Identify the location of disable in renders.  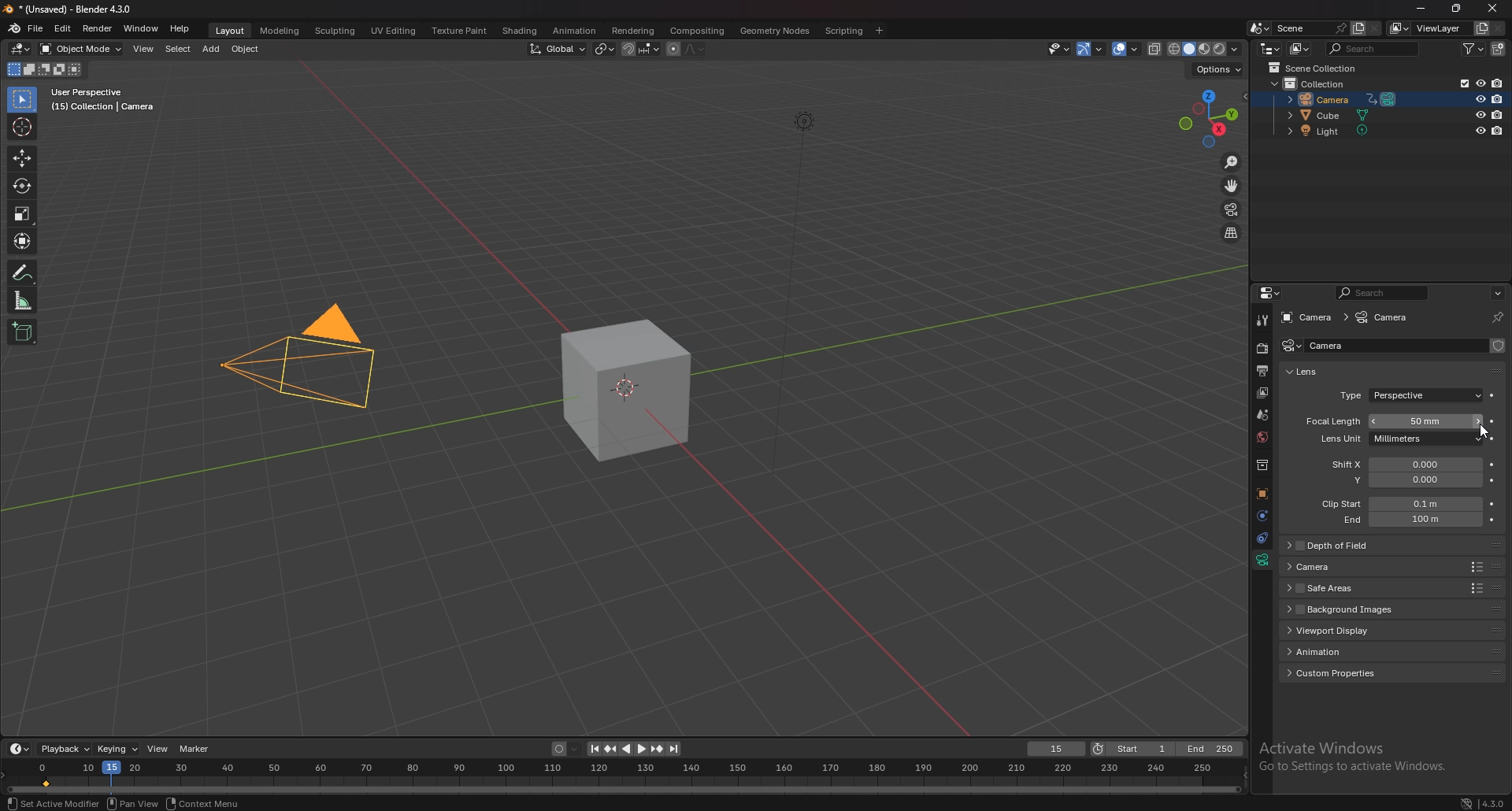
(1498, 114).